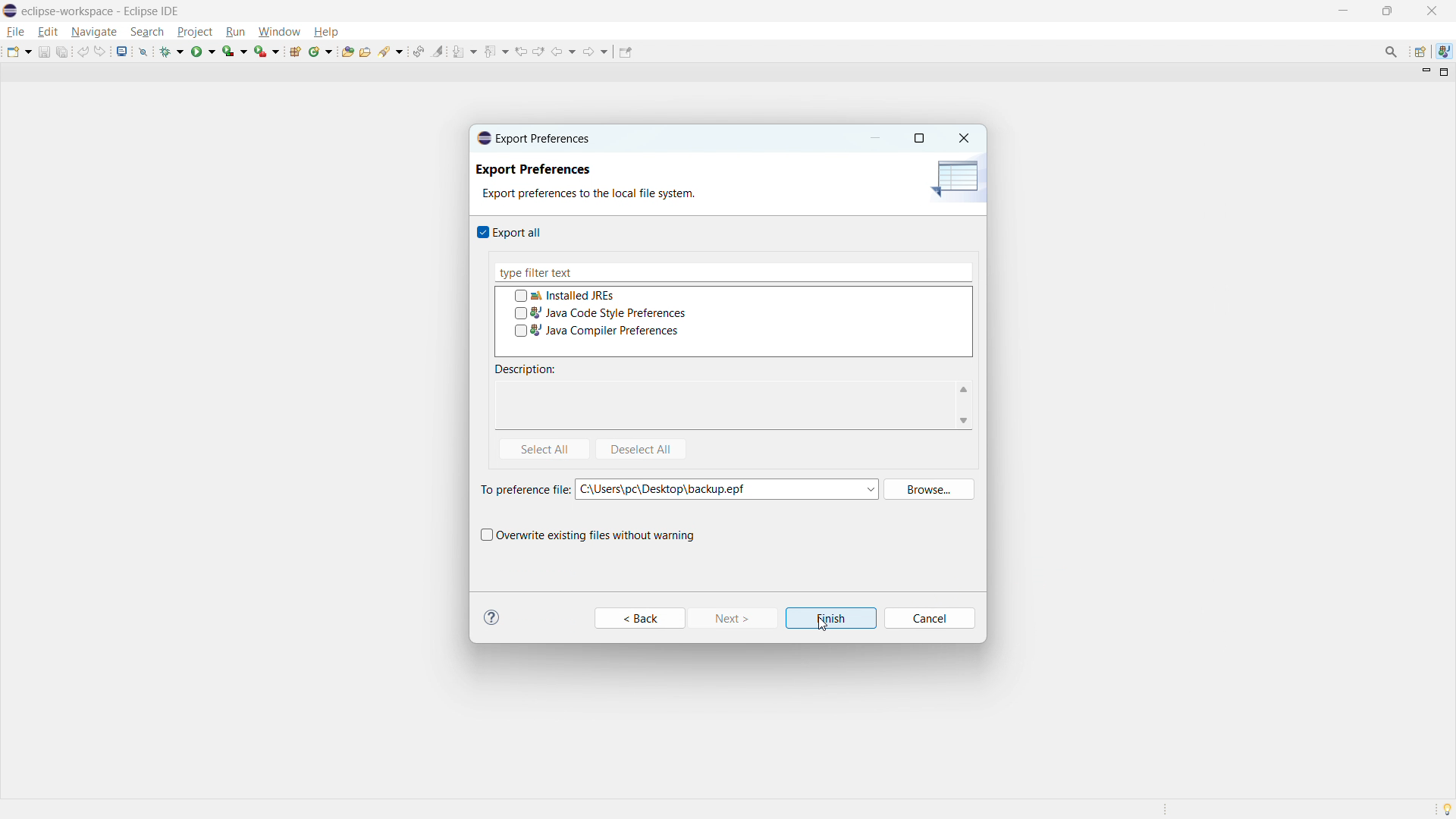 The width and height of the screenshot is (1456, 819). What do you see at coordinates (172, 52) in the screenshot?
I see `debug` at bounding box center [172, 52].